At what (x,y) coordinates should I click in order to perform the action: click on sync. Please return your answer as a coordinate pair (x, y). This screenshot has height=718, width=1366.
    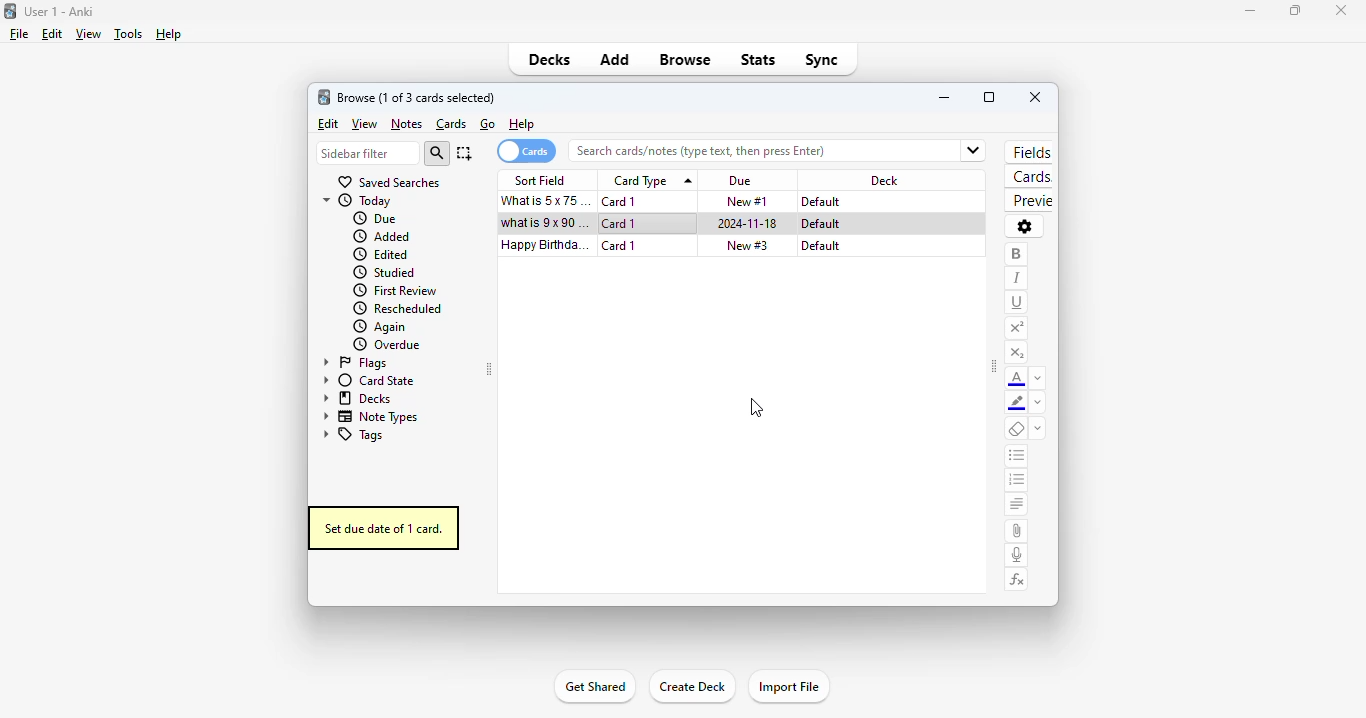
    Looking at the image, I should click on (820, 61).